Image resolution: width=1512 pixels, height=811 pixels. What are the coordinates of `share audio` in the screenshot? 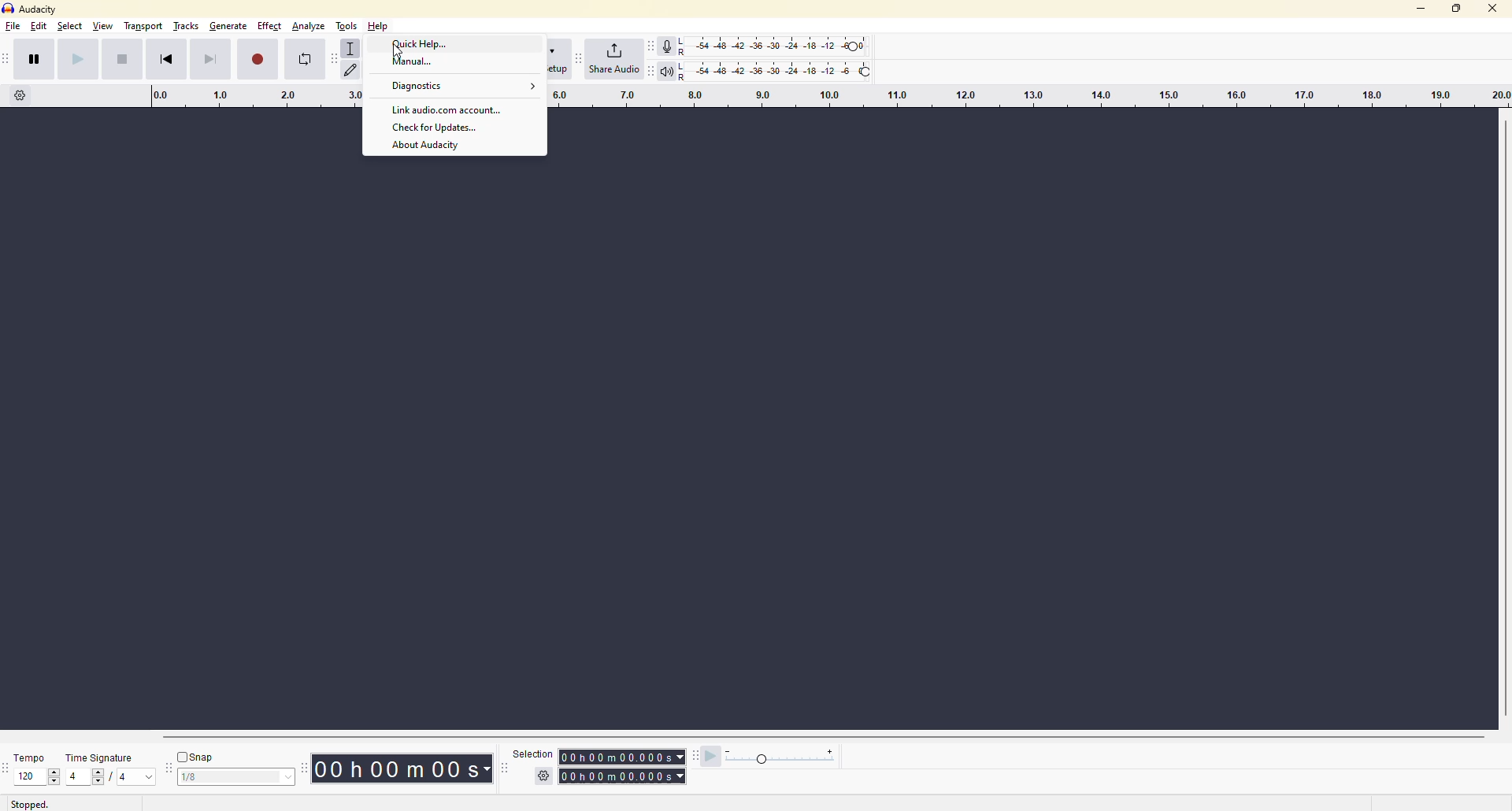 It's located at (613, 60).